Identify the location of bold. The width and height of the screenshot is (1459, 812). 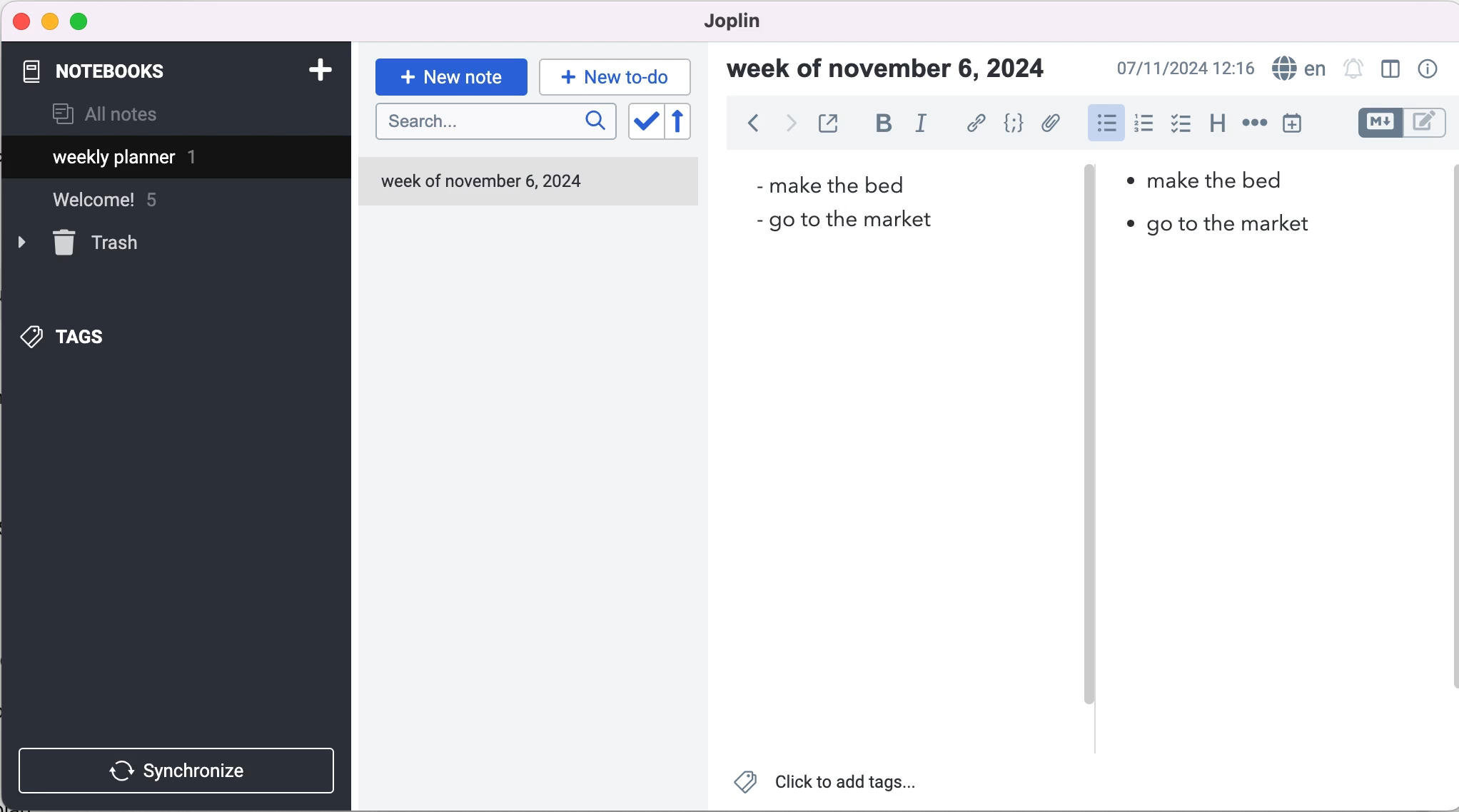
(883, 124).